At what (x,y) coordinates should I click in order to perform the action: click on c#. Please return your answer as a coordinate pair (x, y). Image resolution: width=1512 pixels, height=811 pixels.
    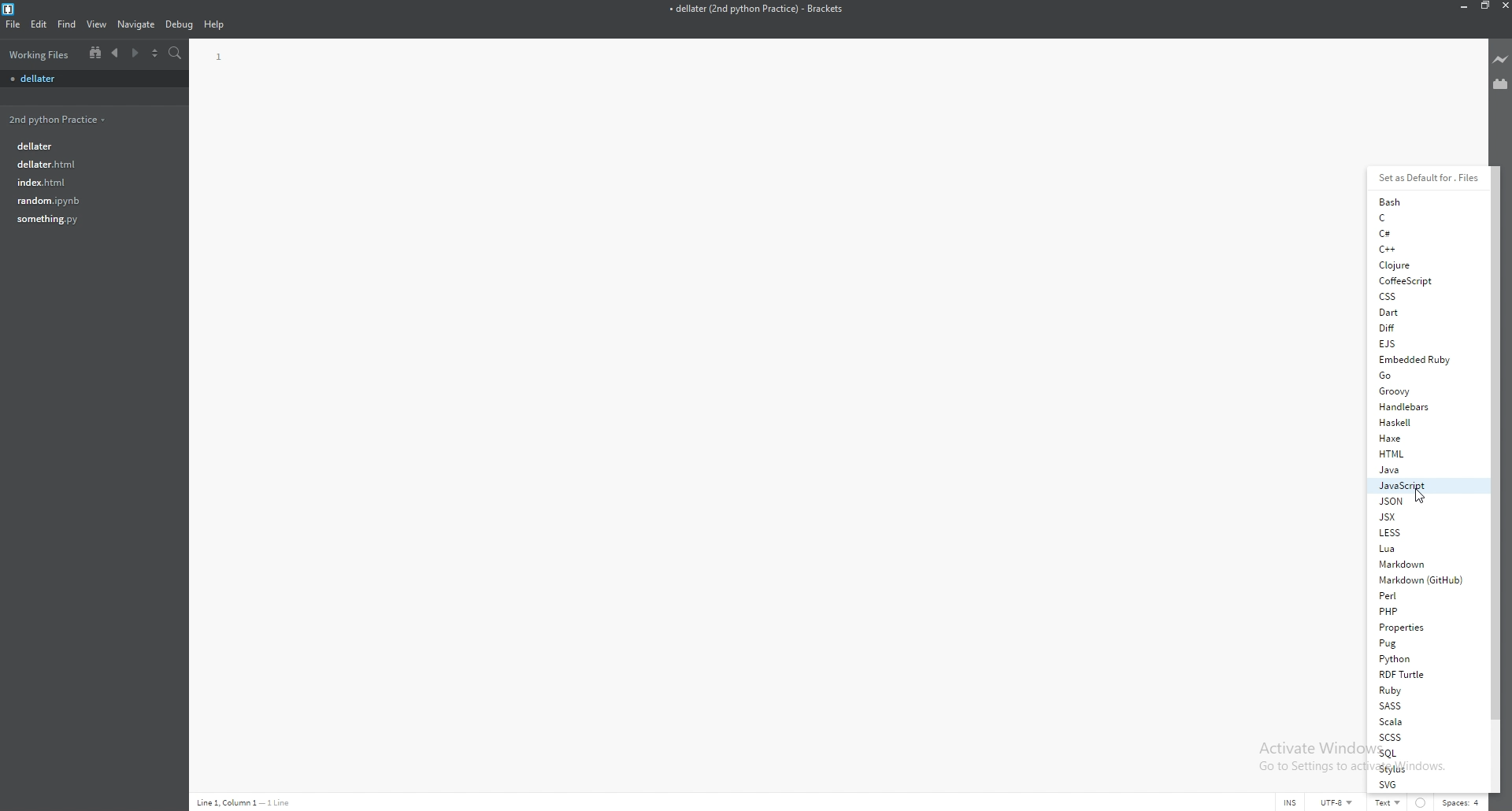
    Looking at the image, I should click on (1419, 233).